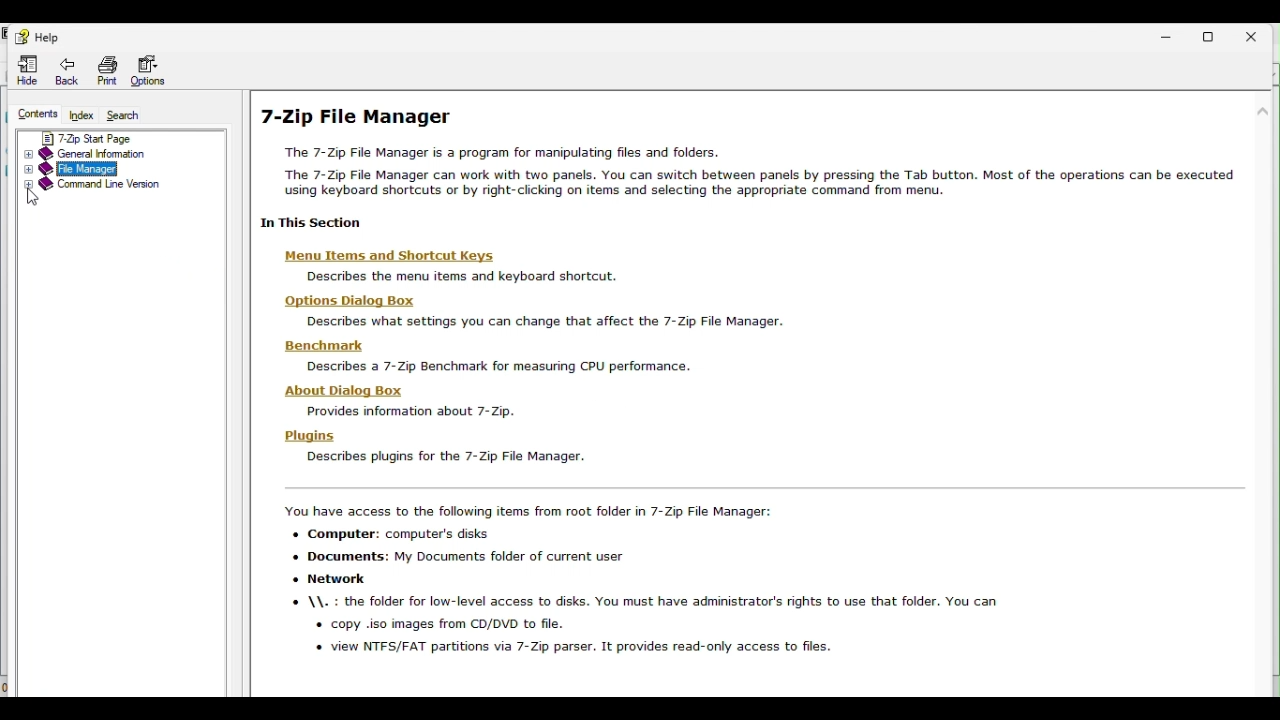 This screenshot has height=720, width=1280. Describe the element at coordinates (112, 190) in the screenshot. I see `Command line version` at that location.